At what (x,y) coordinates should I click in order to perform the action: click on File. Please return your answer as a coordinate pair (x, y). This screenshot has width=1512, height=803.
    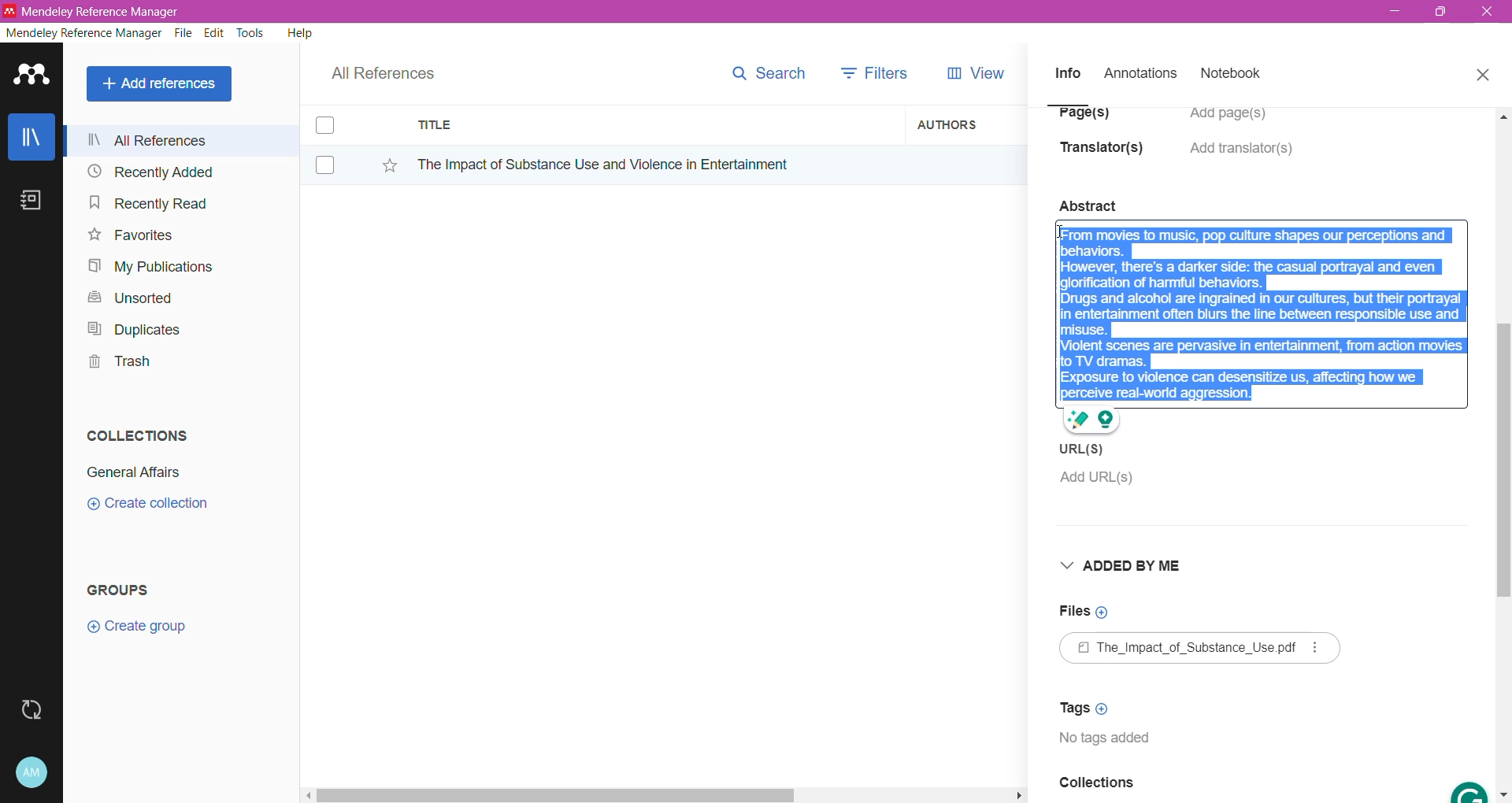
    Looking at the image, I should click on (183, 34).